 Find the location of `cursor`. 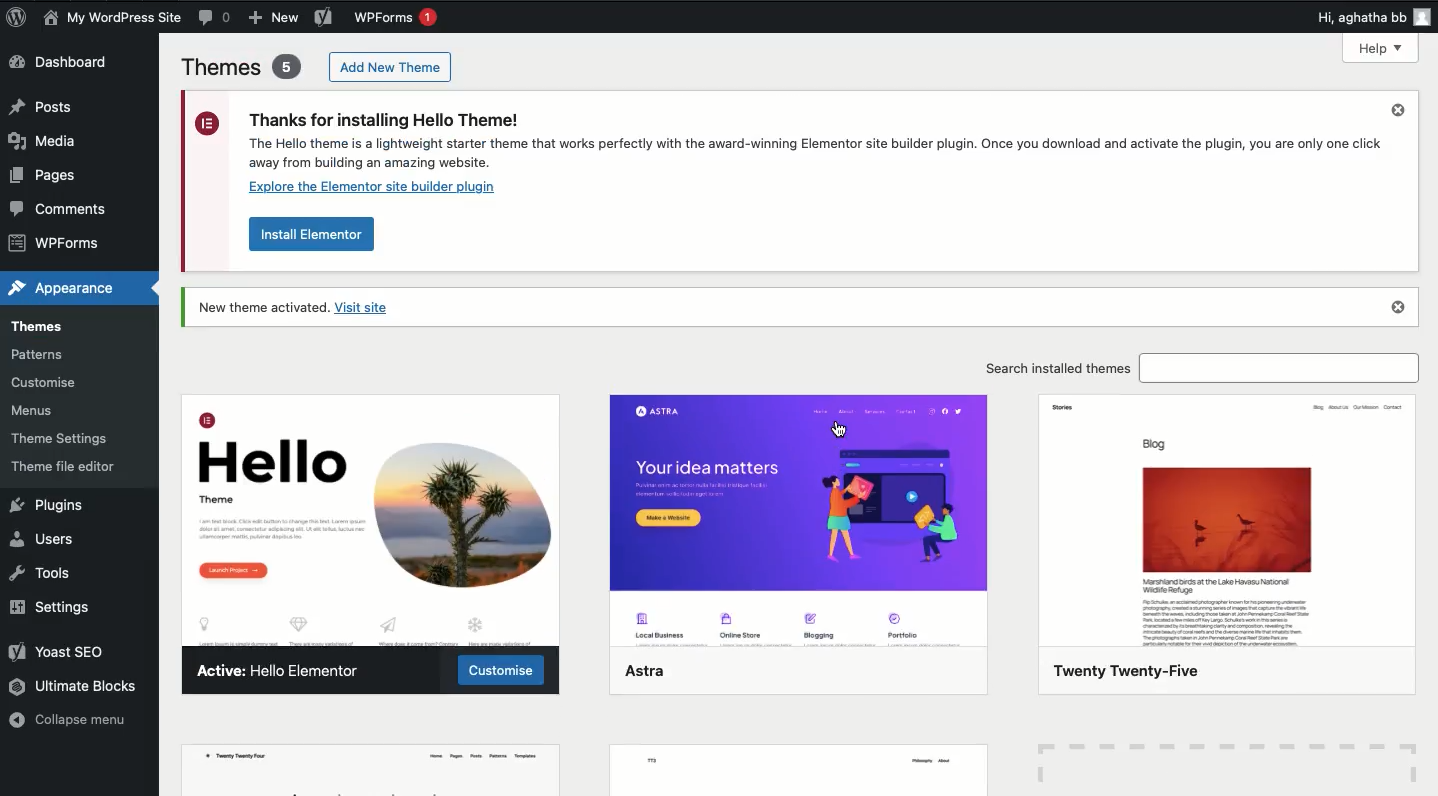

cursor is located at coordinates (838, 431).